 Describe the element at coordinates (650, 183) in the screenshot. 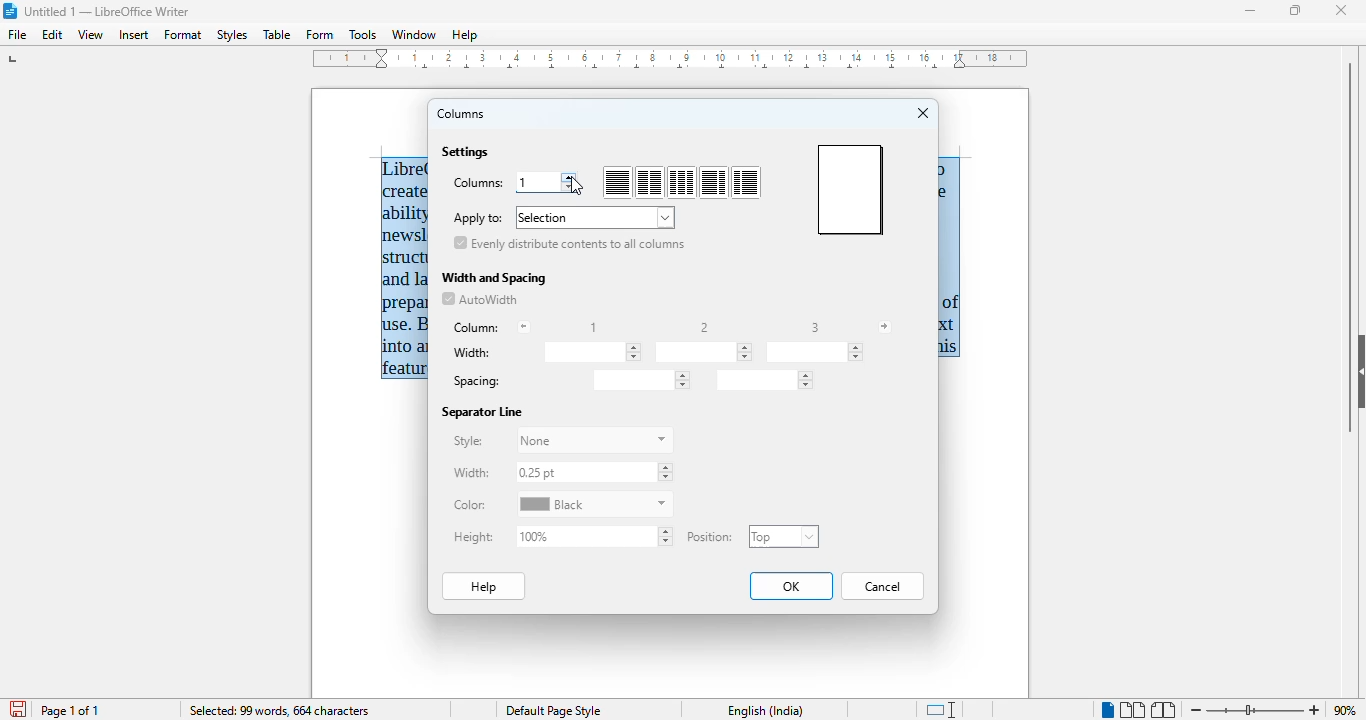

I see `2 columns with equal size` at that location.